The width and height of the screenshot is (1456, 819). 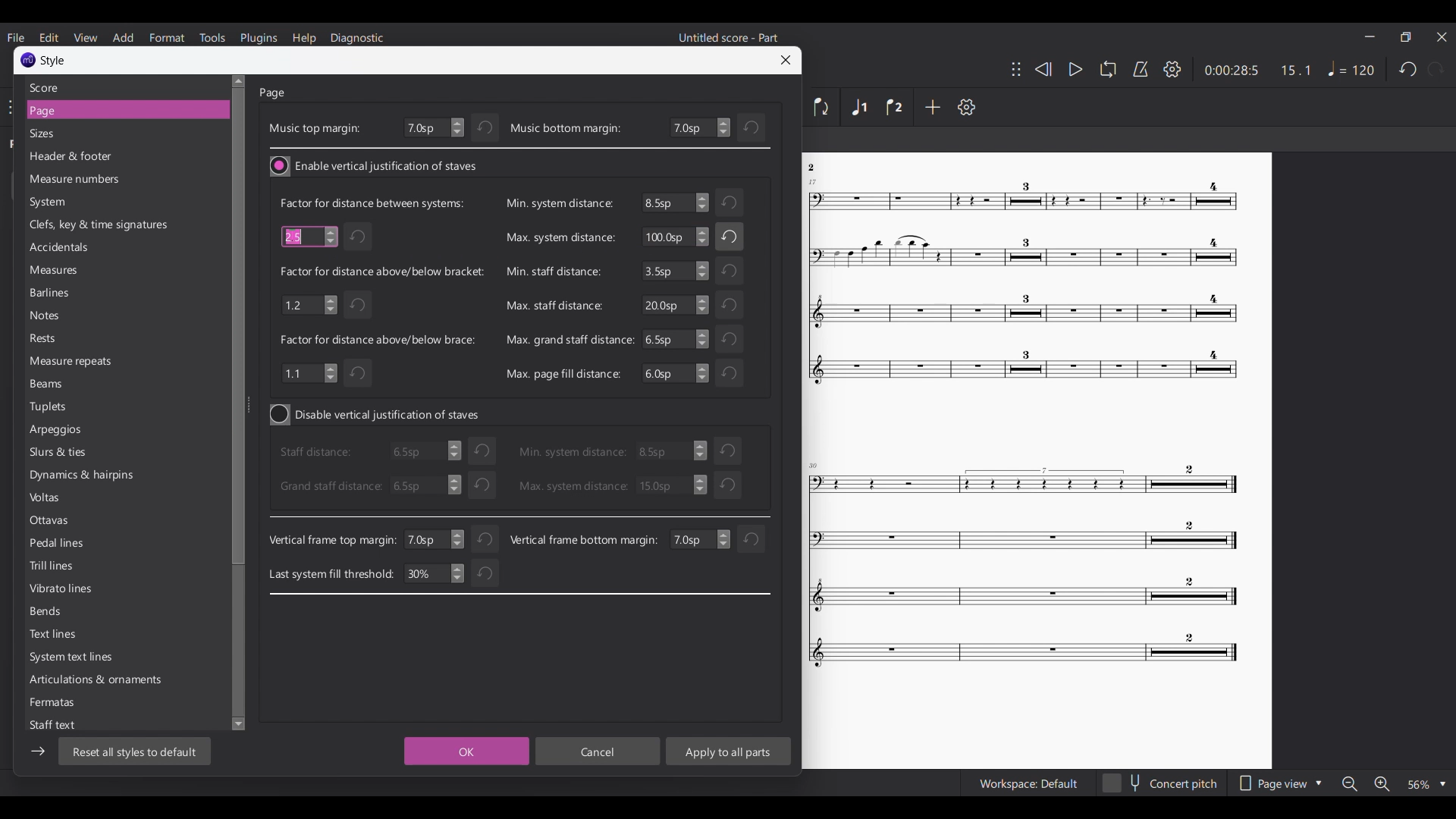 I want to click on Plugins menu, so click(x=259, y=38).